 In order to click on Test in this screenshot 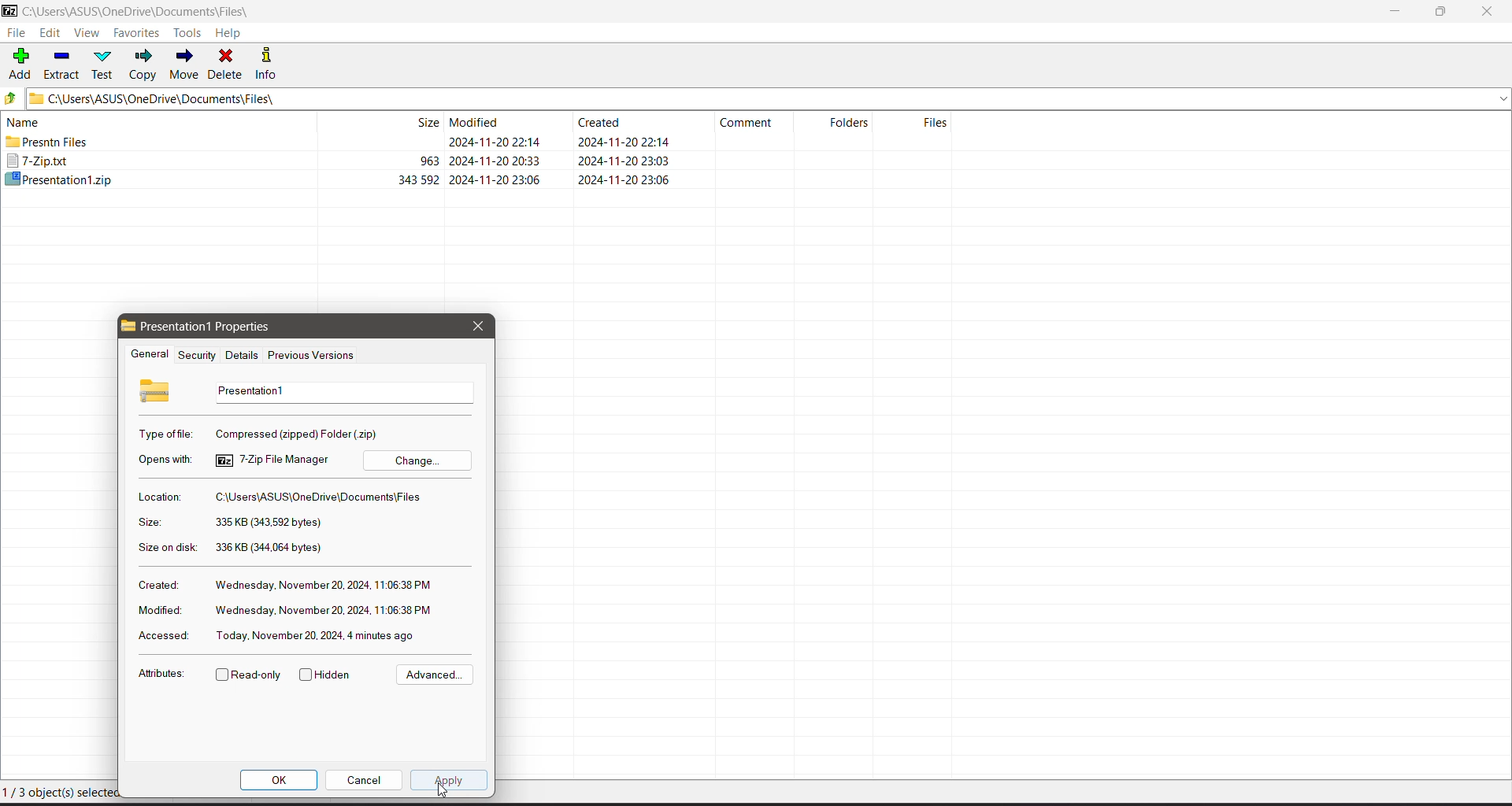, I will do `click(105, 64)`.